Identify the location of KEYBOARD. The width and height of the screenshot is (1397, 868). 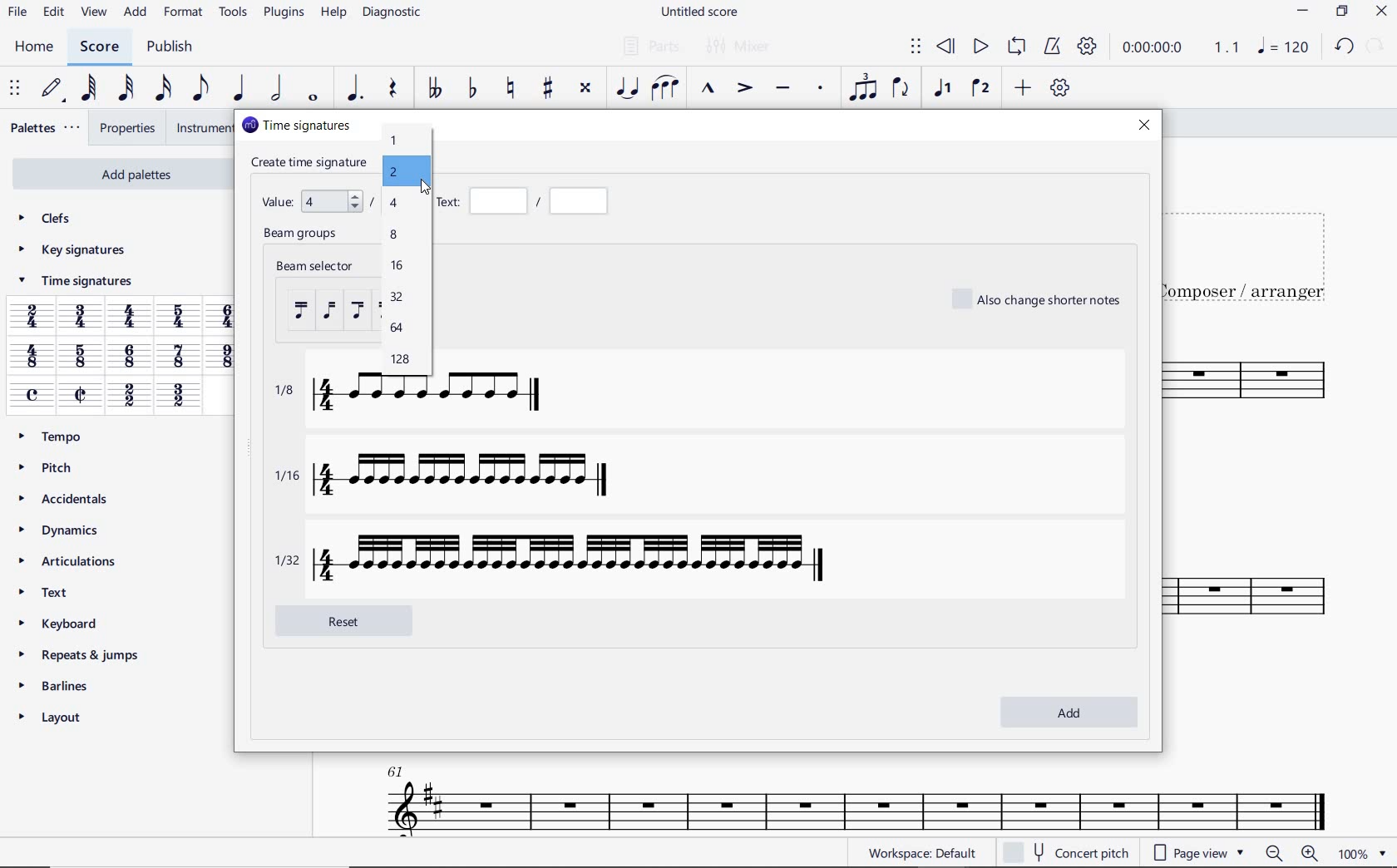
(61, 622).